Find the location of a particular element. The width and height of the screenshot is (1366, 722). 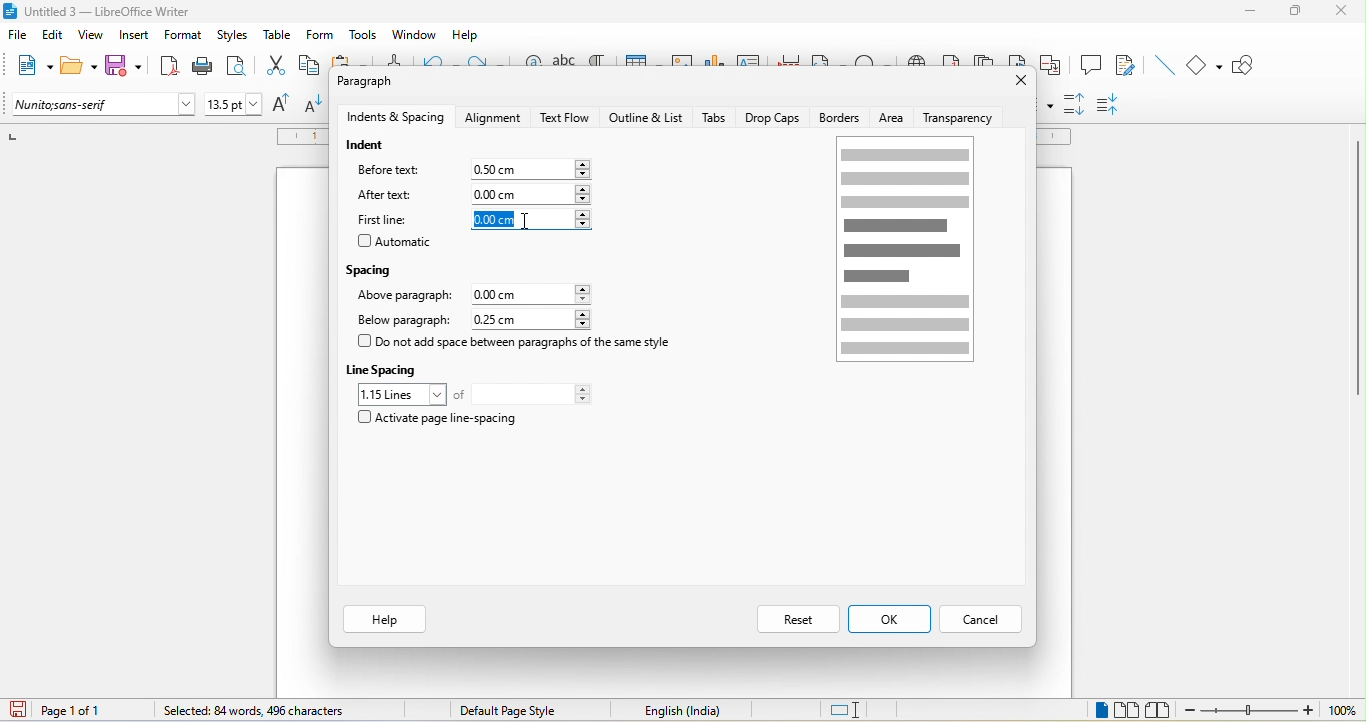

book view is located at coordinates (1162, 710).